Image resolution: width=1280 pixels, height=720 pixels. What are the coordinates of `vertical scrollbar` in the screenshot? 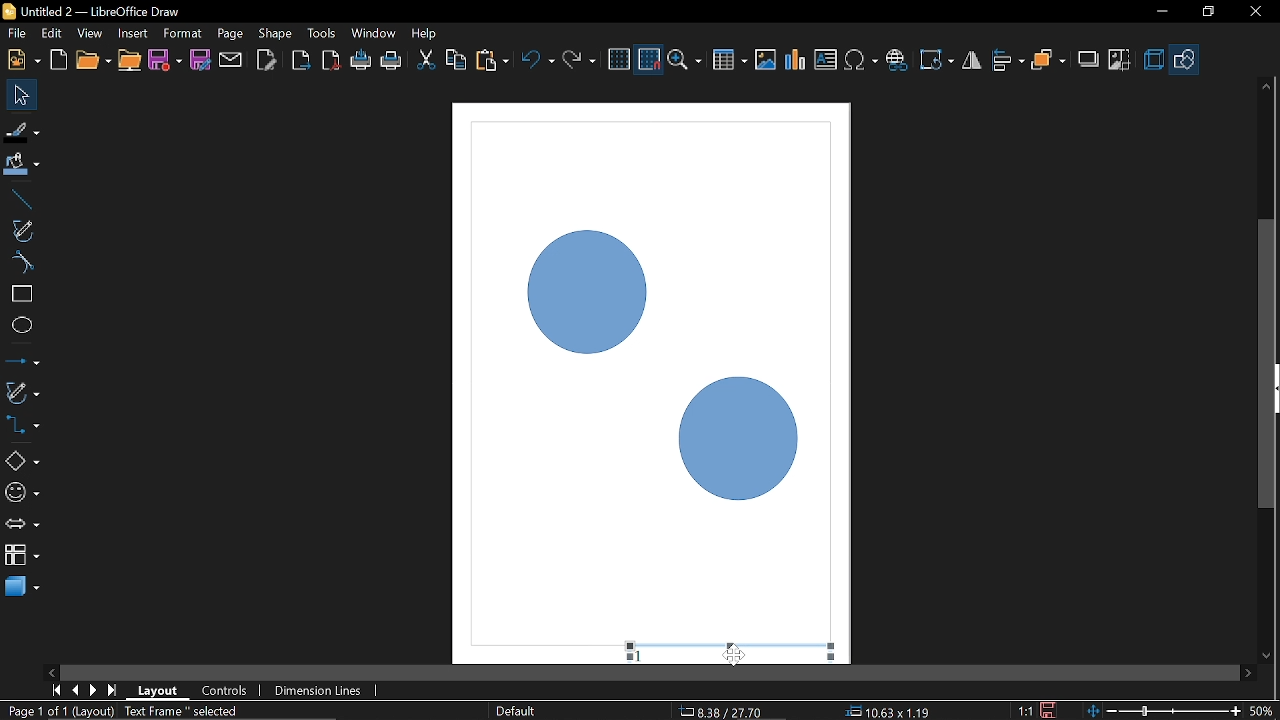 It's located at (1267, 281).